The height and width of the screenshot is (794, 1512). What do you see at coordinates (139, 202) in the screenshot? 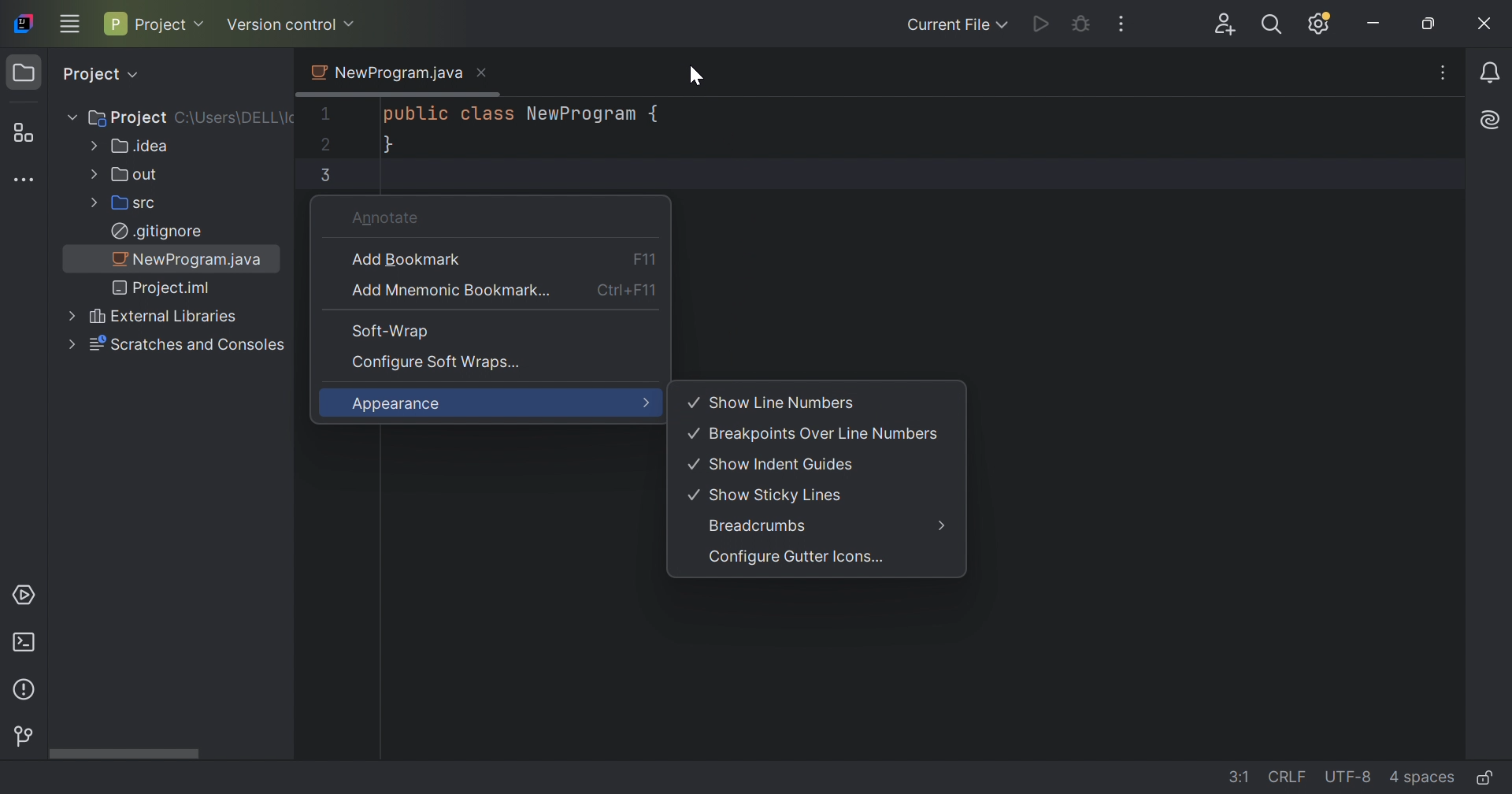
I see `src` at bounding box center [139, 202].